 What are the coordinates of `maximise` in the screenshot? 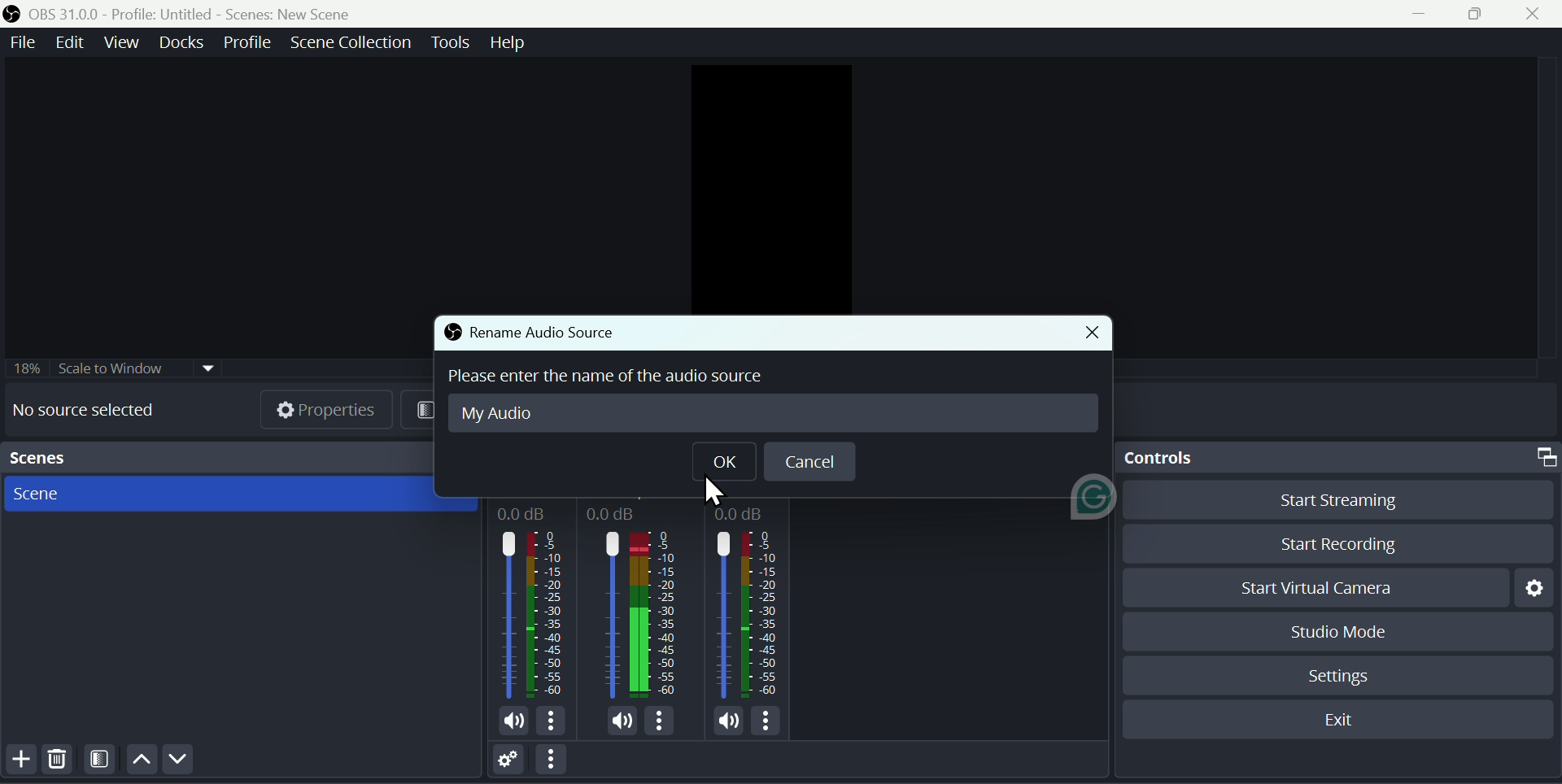 It's located at (1477, 15).